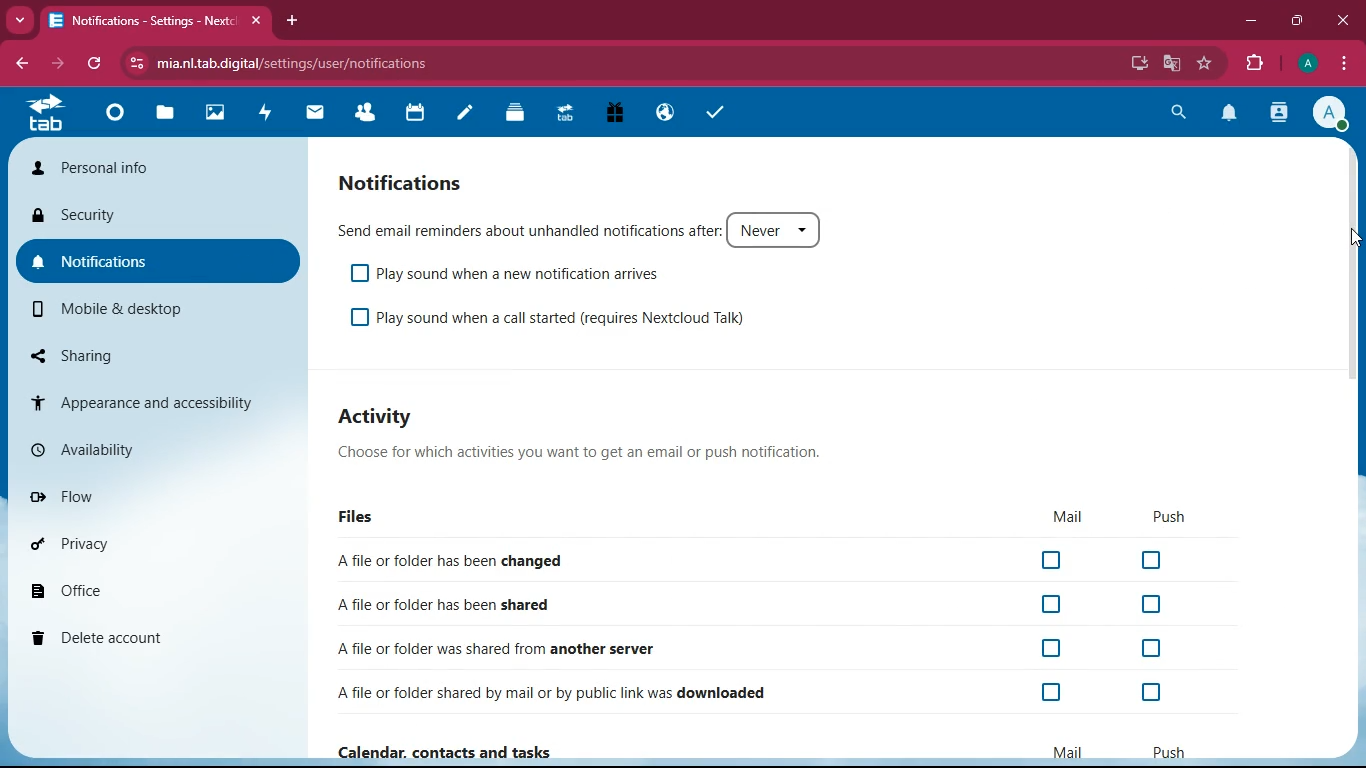  I want to click on close, so click(255, 22).